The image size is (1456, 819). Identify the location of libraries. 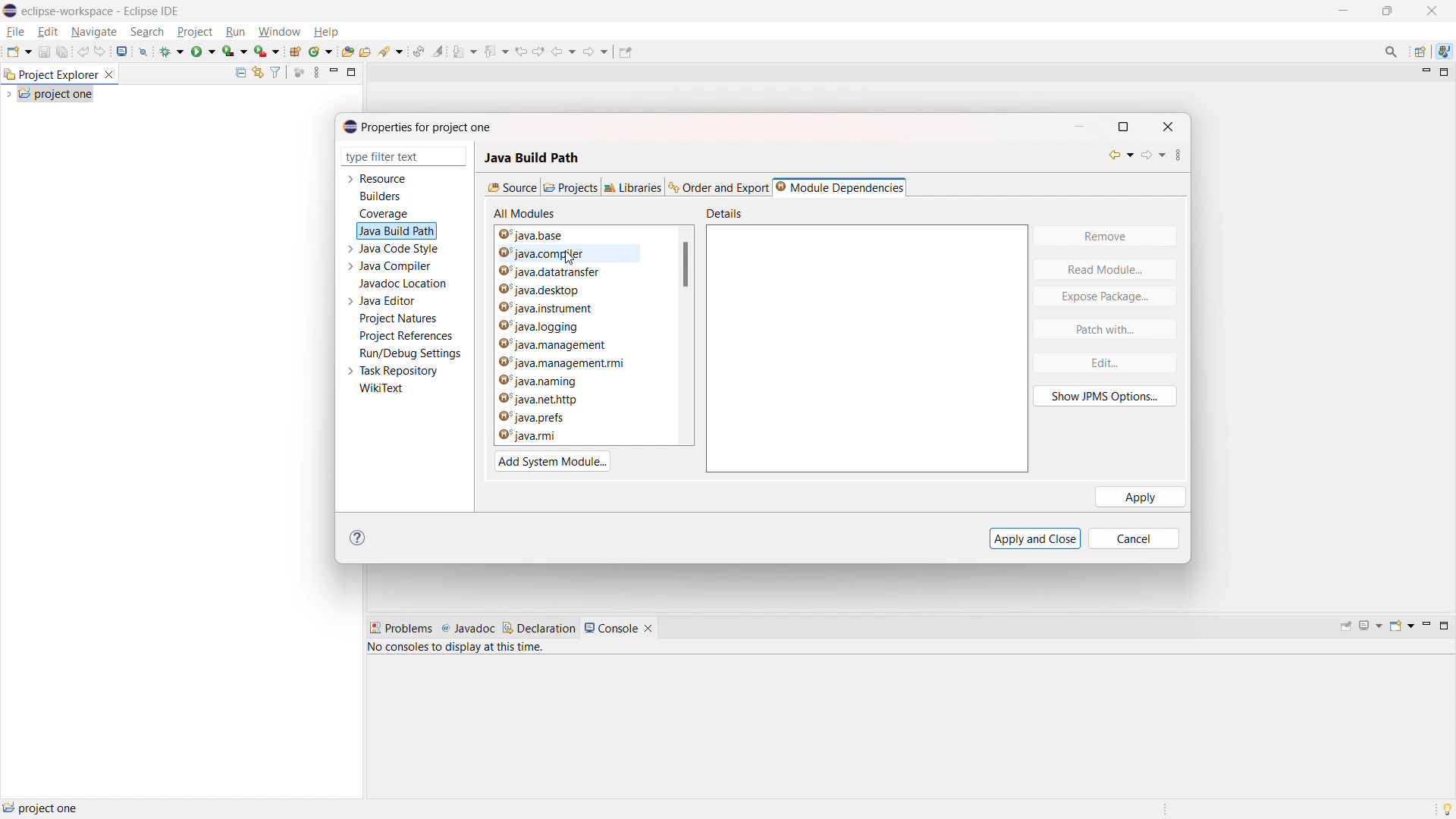
(634, 187).